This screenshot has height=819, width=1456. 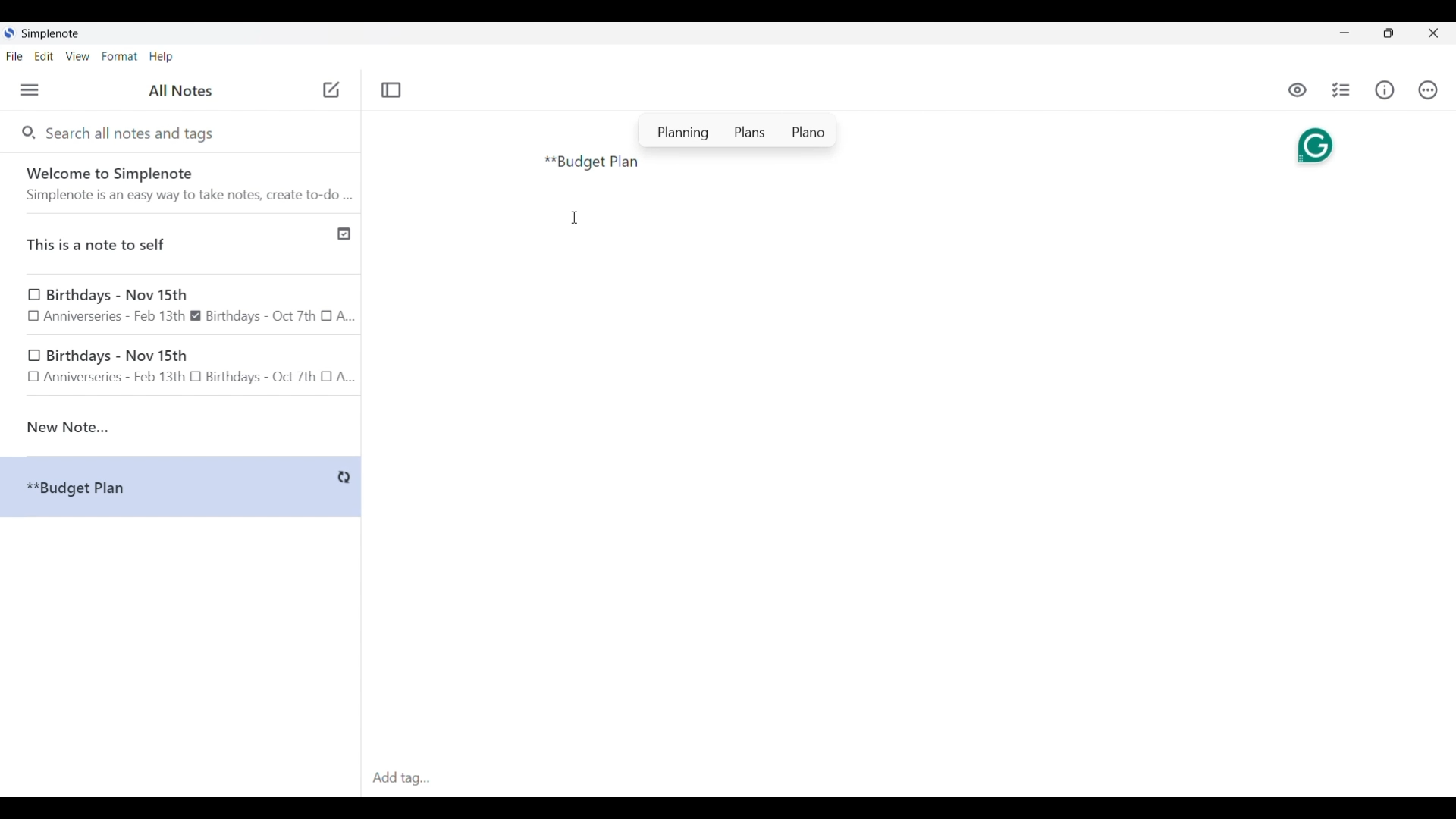 What do you see at coordinates (184, 183) in the screenshot?
I see `Software welcome note` at bounding box center [184, 183].